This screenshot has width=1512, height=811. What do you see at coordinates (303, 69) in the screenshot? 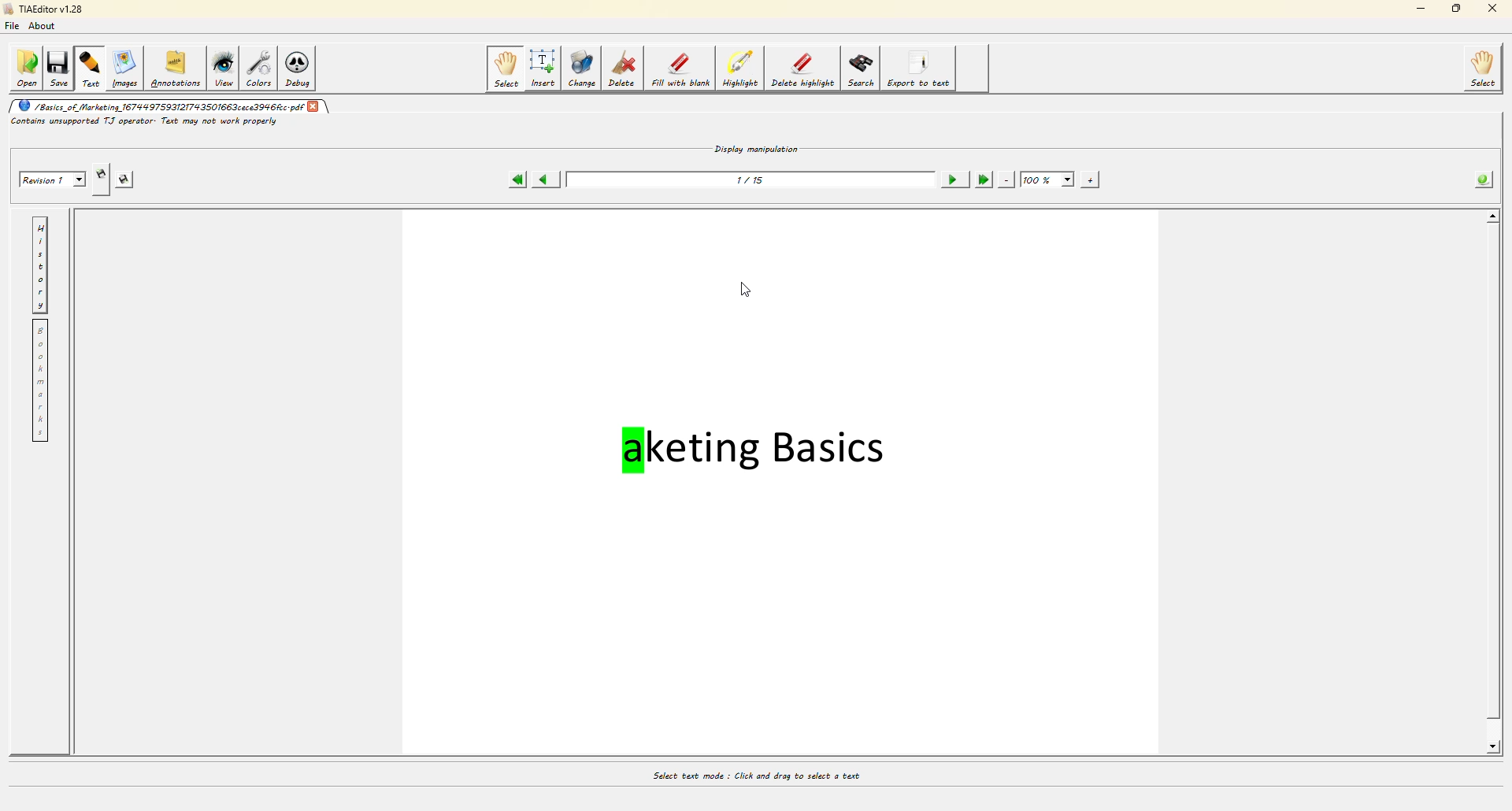
I see `debug` at bounding box center [303, 69].